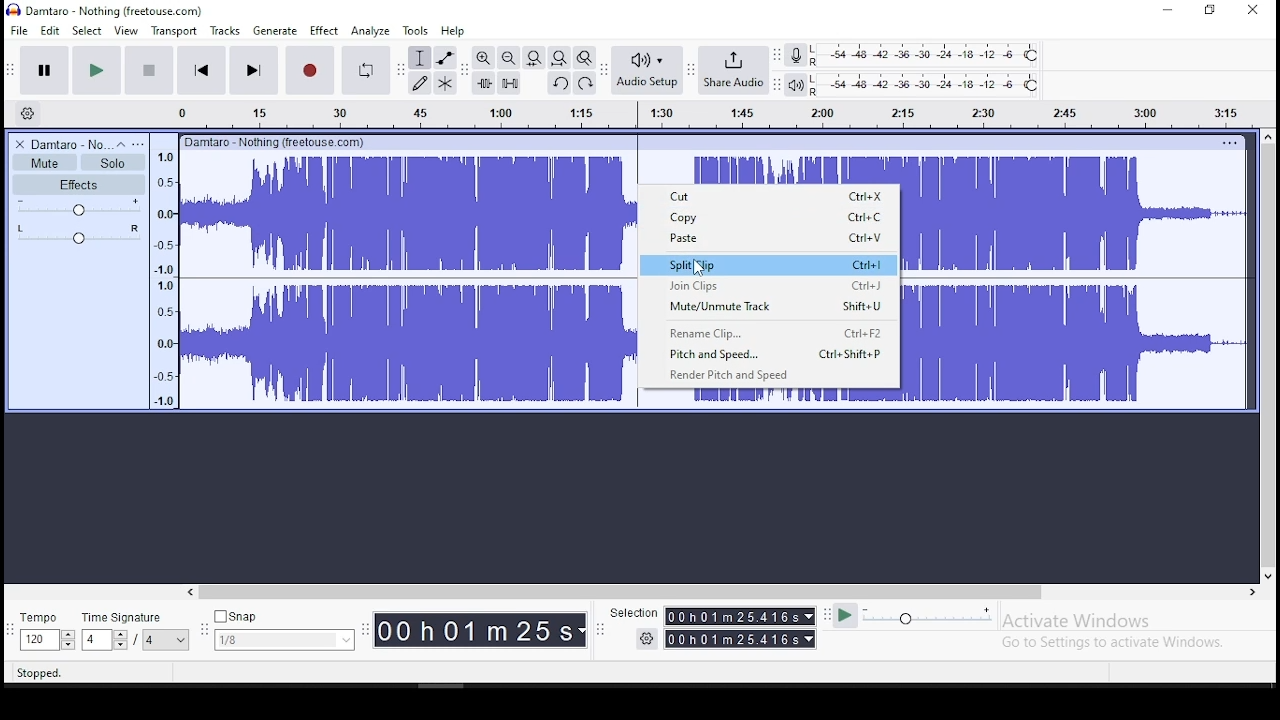 The image size is (1280, 720). Describe the element at coordinates (928, 617) in the screenshot. I see `playback speed` at that location.